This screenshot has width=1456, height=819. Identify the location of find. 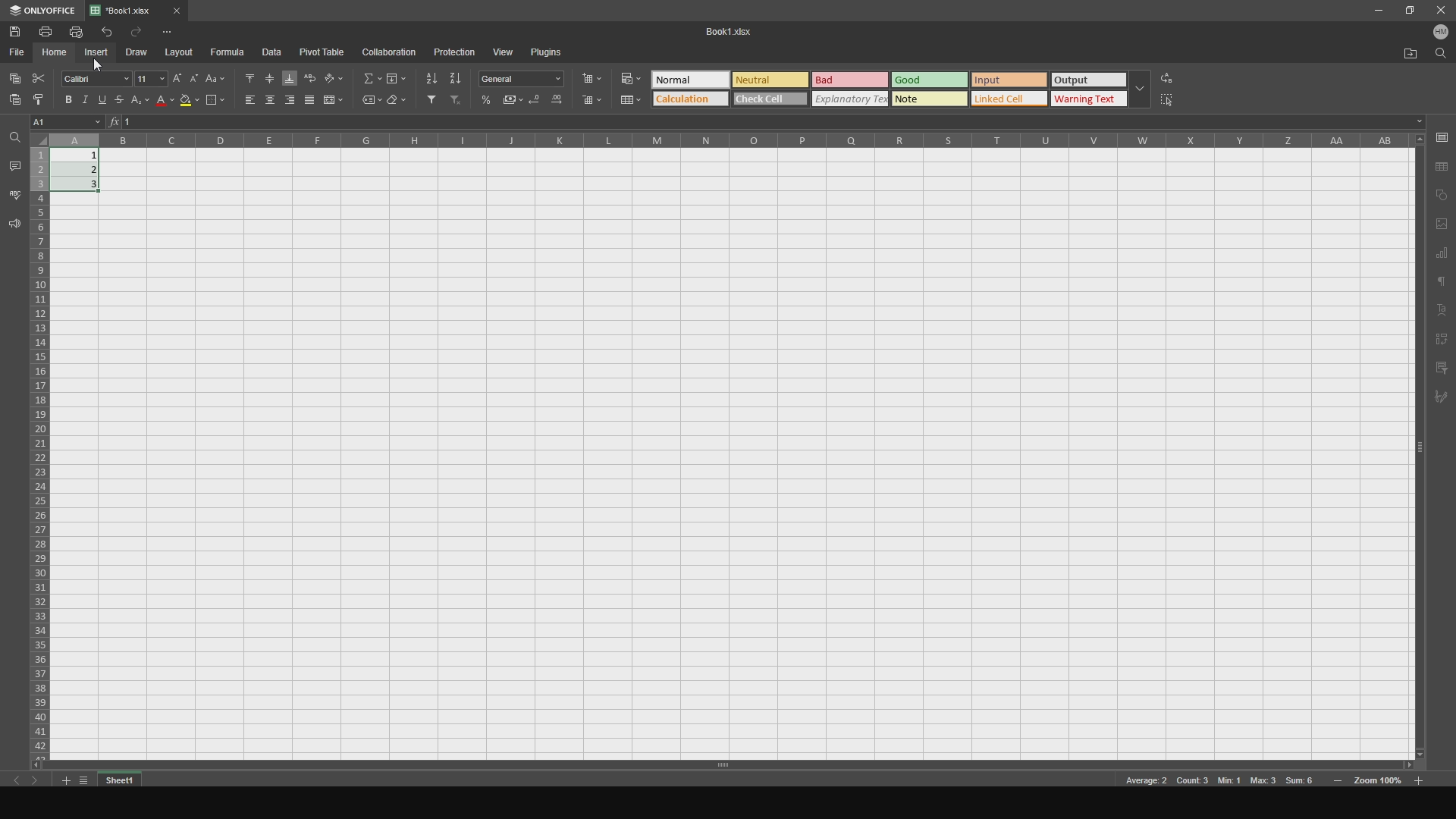
(1442, 57).